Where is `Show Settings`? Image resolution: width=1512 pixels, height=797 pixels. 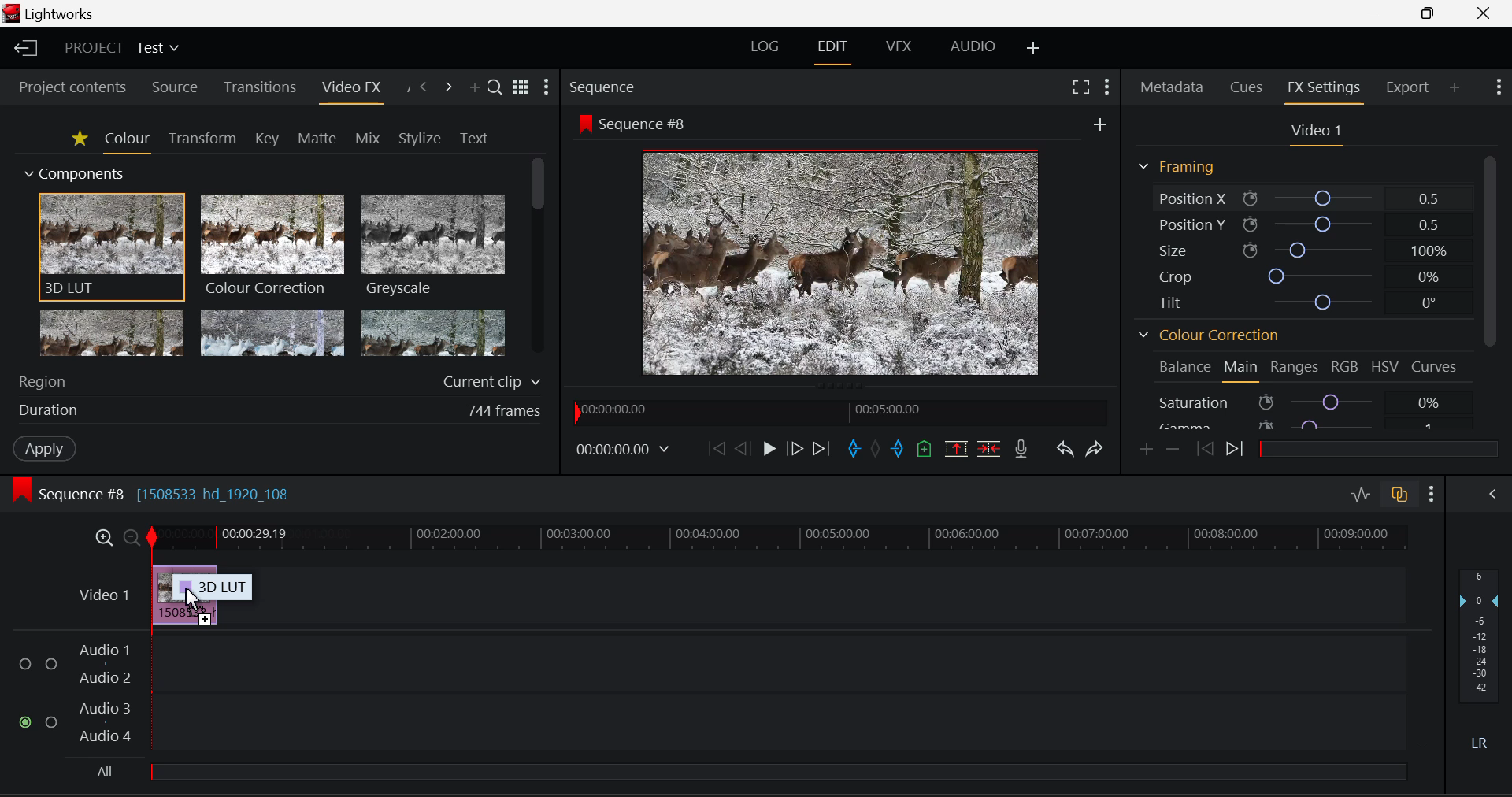 Show Settings is located at coordinates (1431, 494).